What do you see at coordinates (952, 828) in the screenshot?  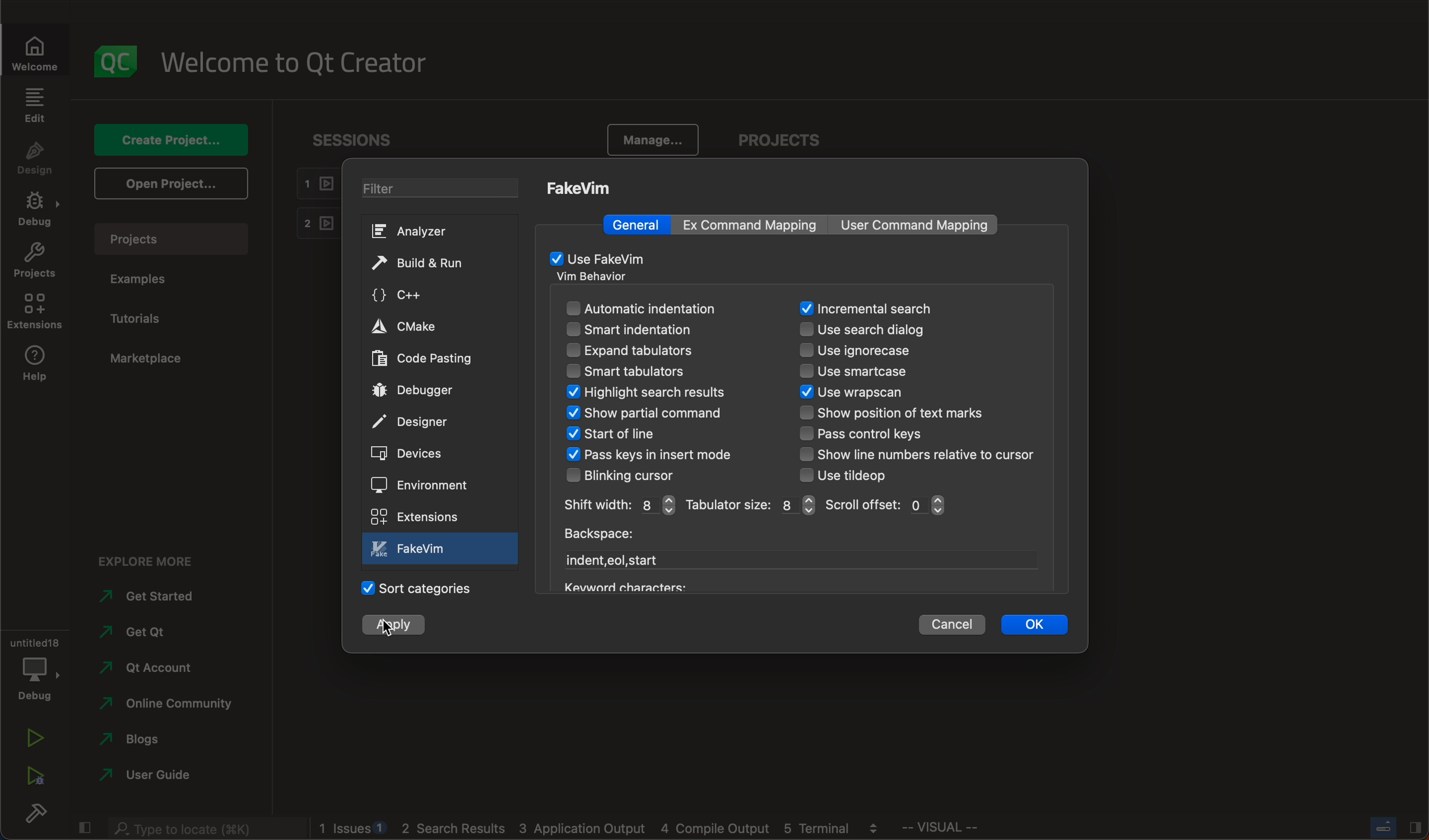 I see `vim visual` at bounding box center [952, 828].